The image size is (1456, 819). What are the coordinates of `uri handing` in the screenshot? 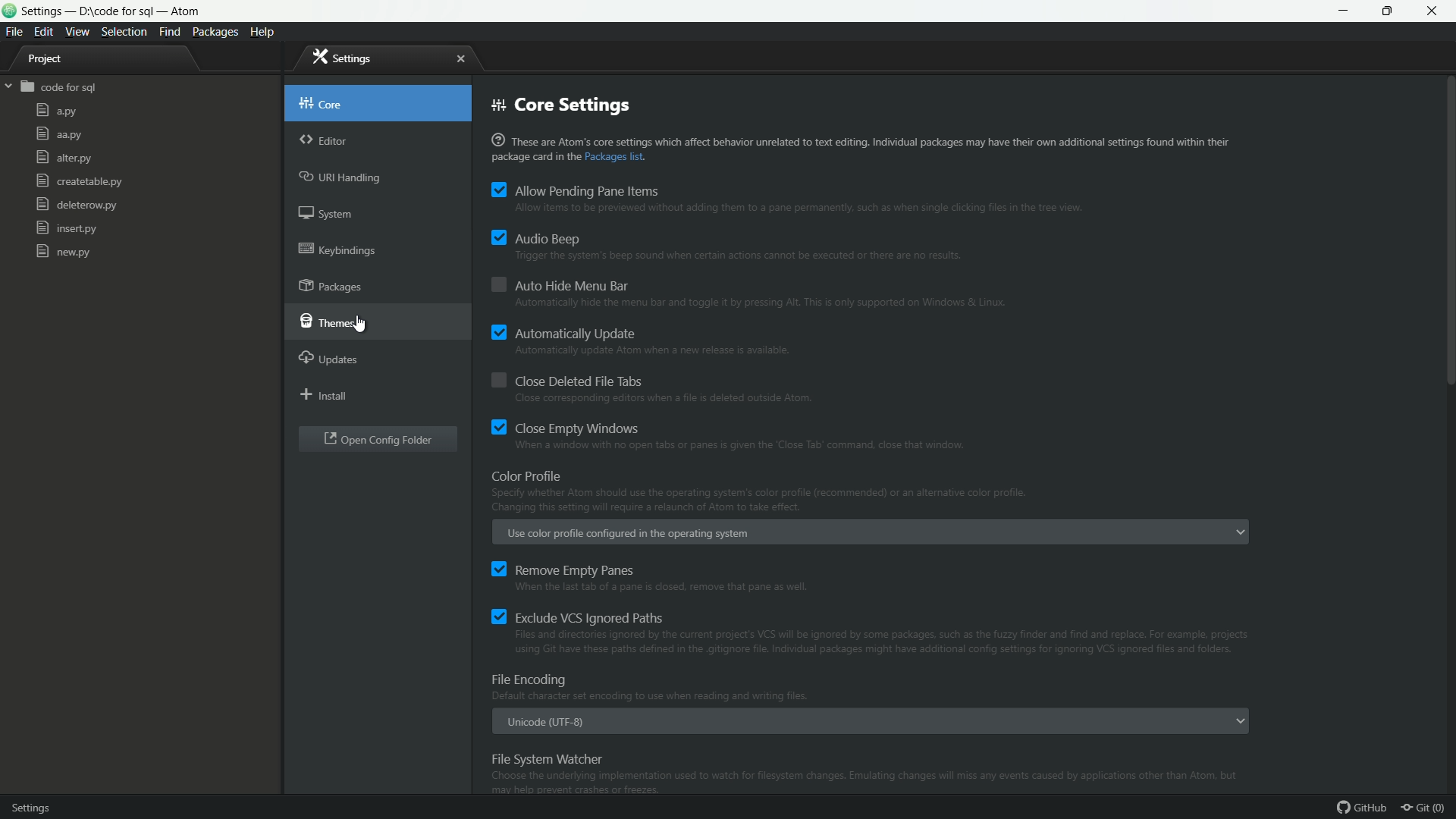 It's located at (342, 178).